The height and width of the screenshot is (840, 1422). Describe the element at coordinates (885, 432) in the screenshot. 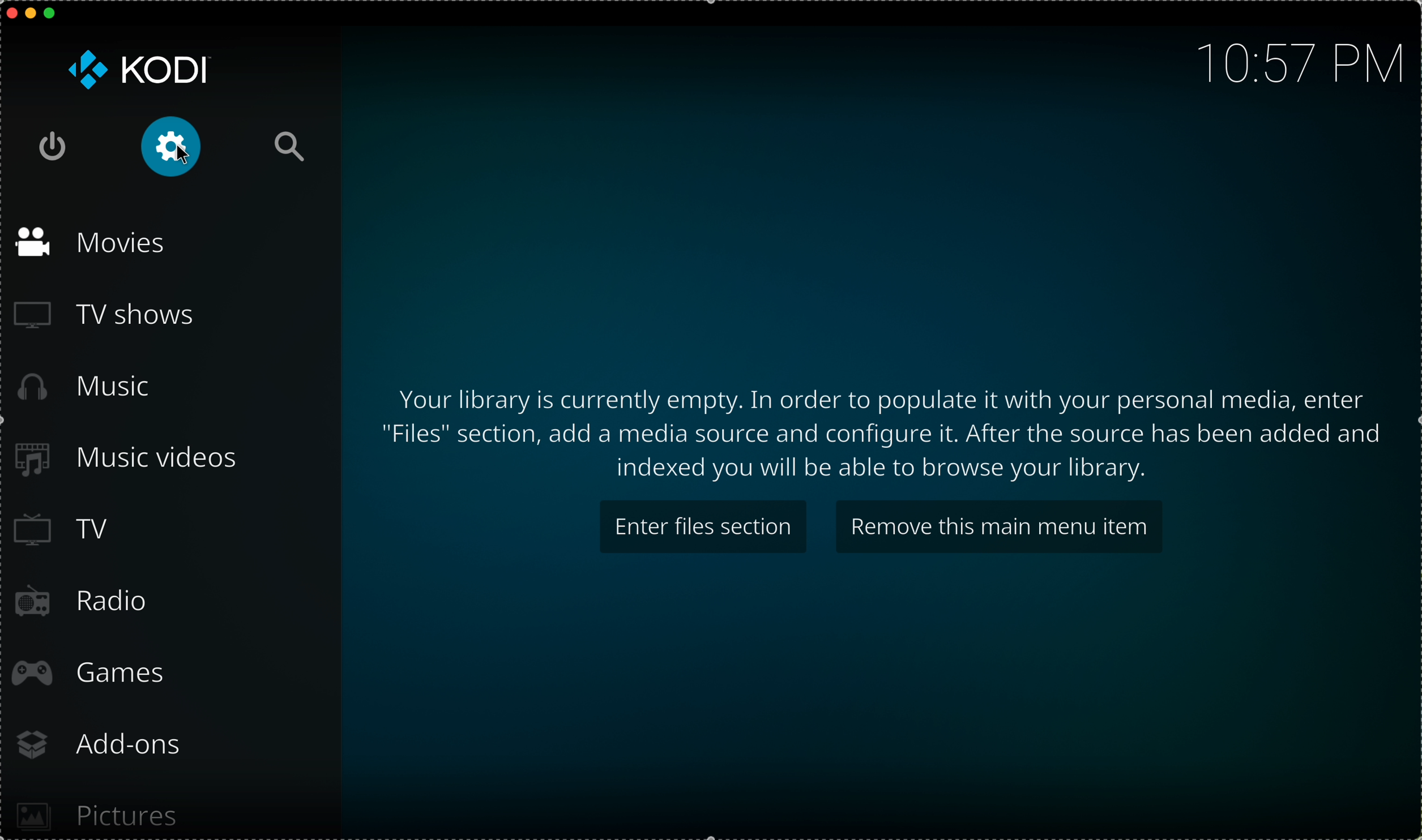

I see `Your library is currently empty. In order to populate it with your personal media, enter
'Files" section, add a media source and configure it. After the source has been added and
indexed you will be able to browse your library.` at that location.